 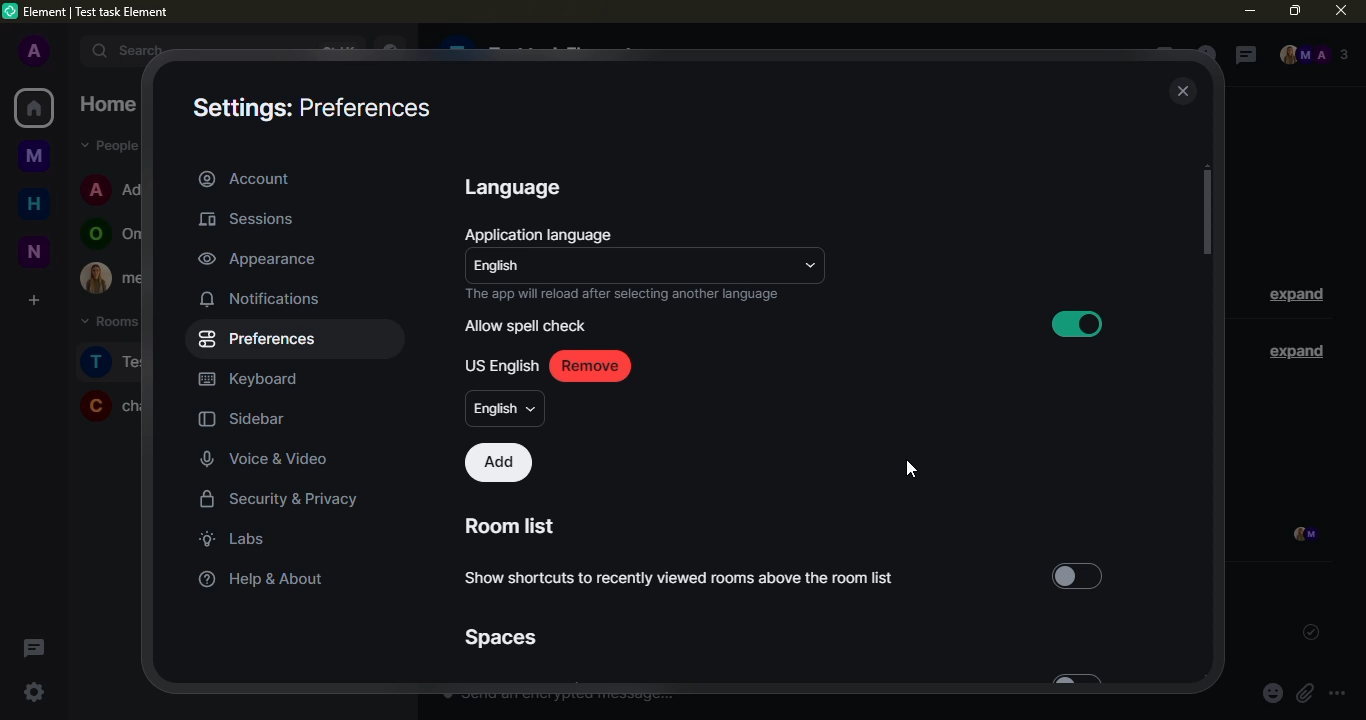 What do you see at coordinates (497, 637) in the screenshot?
I see `spaces` at bounding box center [497, 637].